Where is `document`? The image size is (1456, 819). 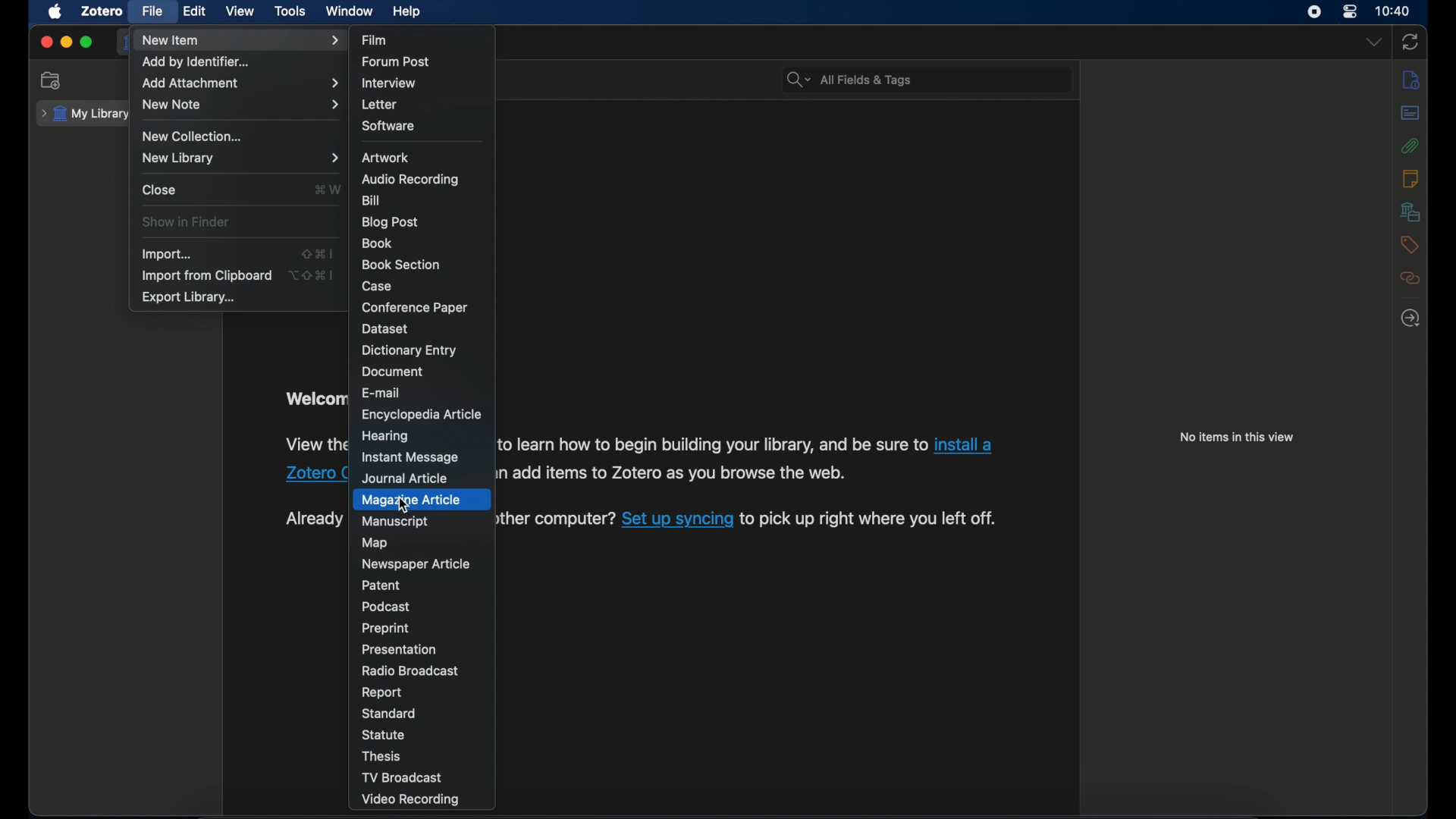
document is located at coordinates (395, 372).